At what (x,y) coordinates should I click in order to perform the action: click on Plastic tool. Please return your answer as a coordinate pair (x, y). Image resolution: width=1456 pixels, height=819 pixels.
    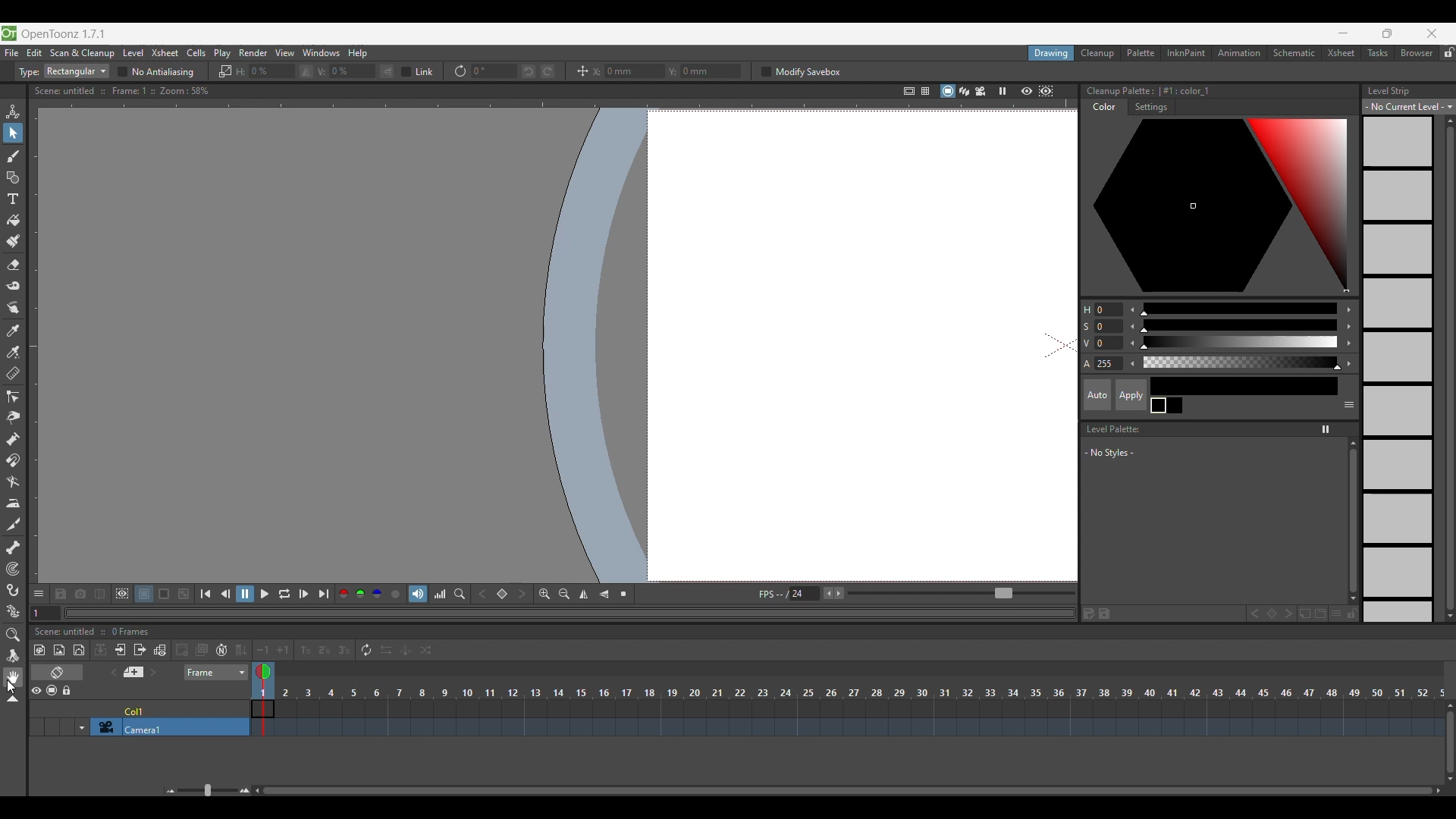
    Looking at the image, I should click on (13, 611).